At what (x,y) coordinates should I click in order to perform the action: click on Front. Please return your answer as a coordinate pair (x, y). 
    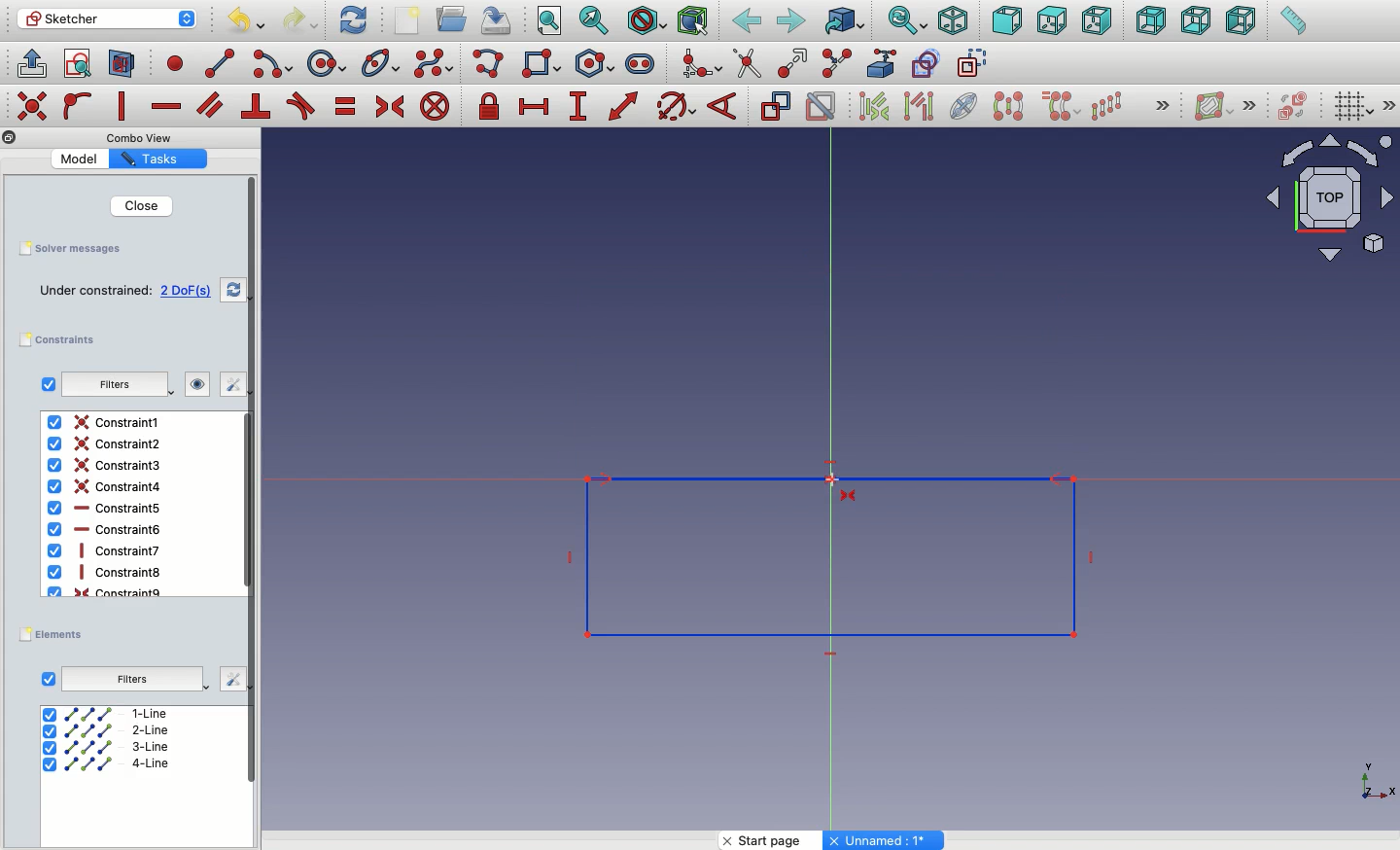
    Looking at the image, I should click on (1007, 22).